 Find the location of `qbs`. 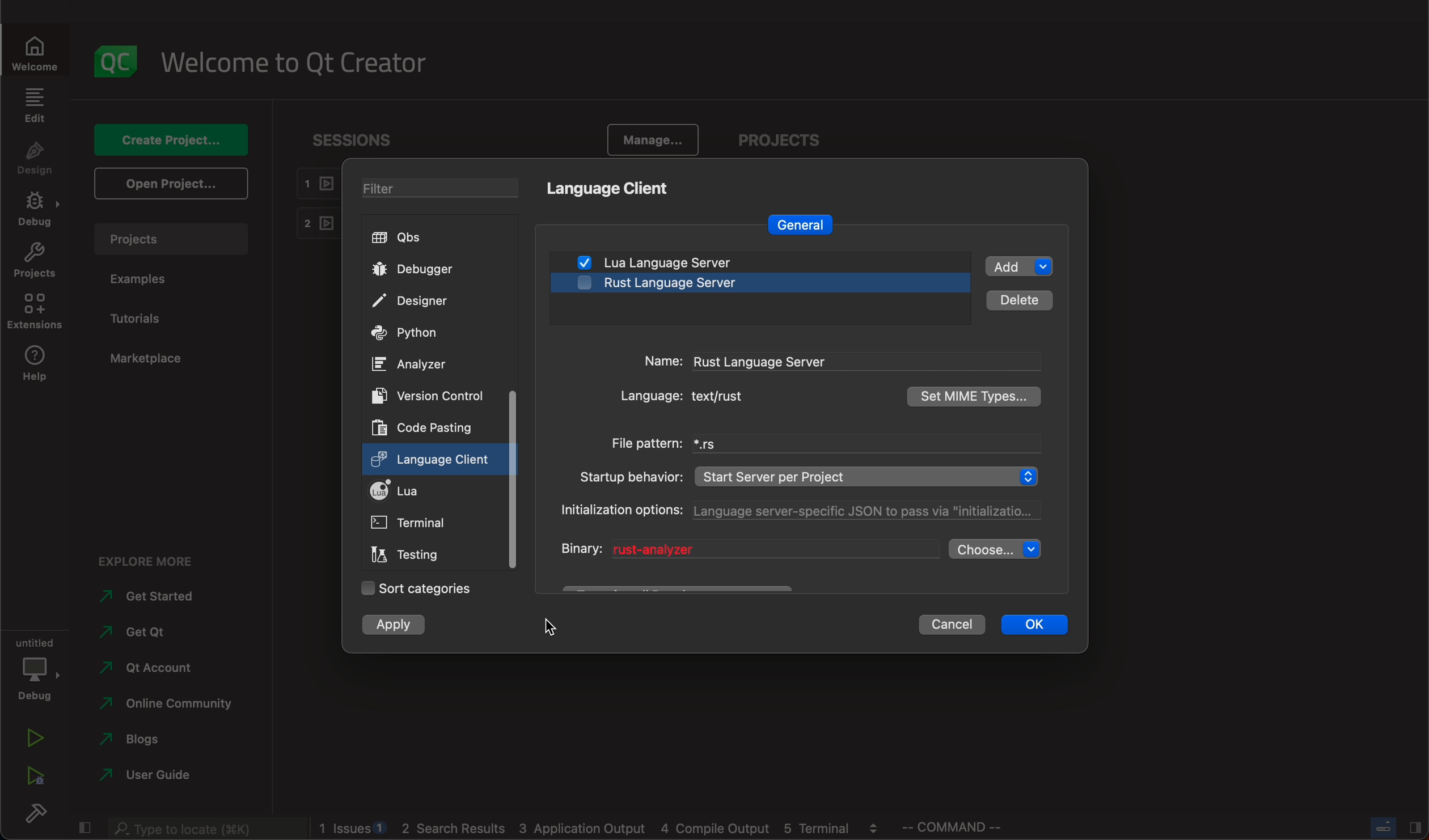

qbs is located at coordinates (412, 239).